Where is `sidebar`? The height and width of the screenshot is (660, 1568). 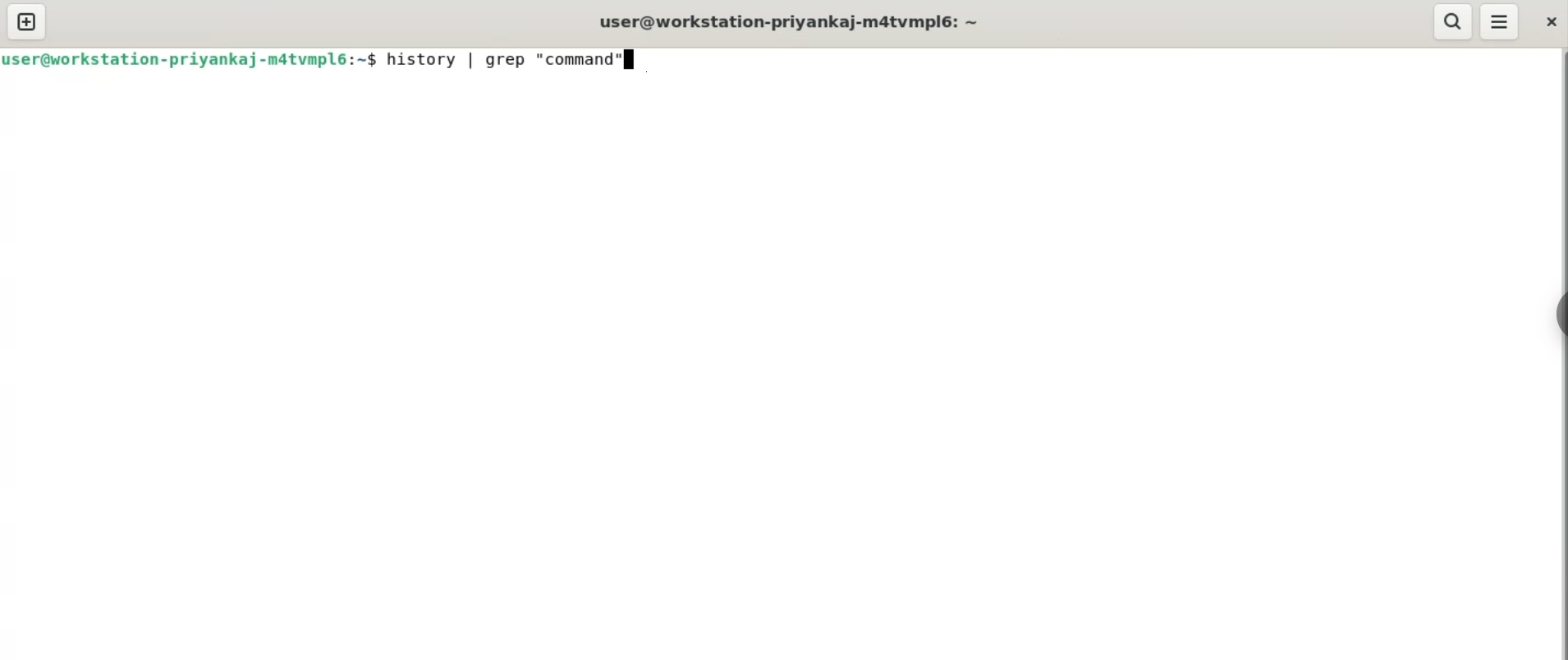 sidebar is located at coordinates (1558, 315).